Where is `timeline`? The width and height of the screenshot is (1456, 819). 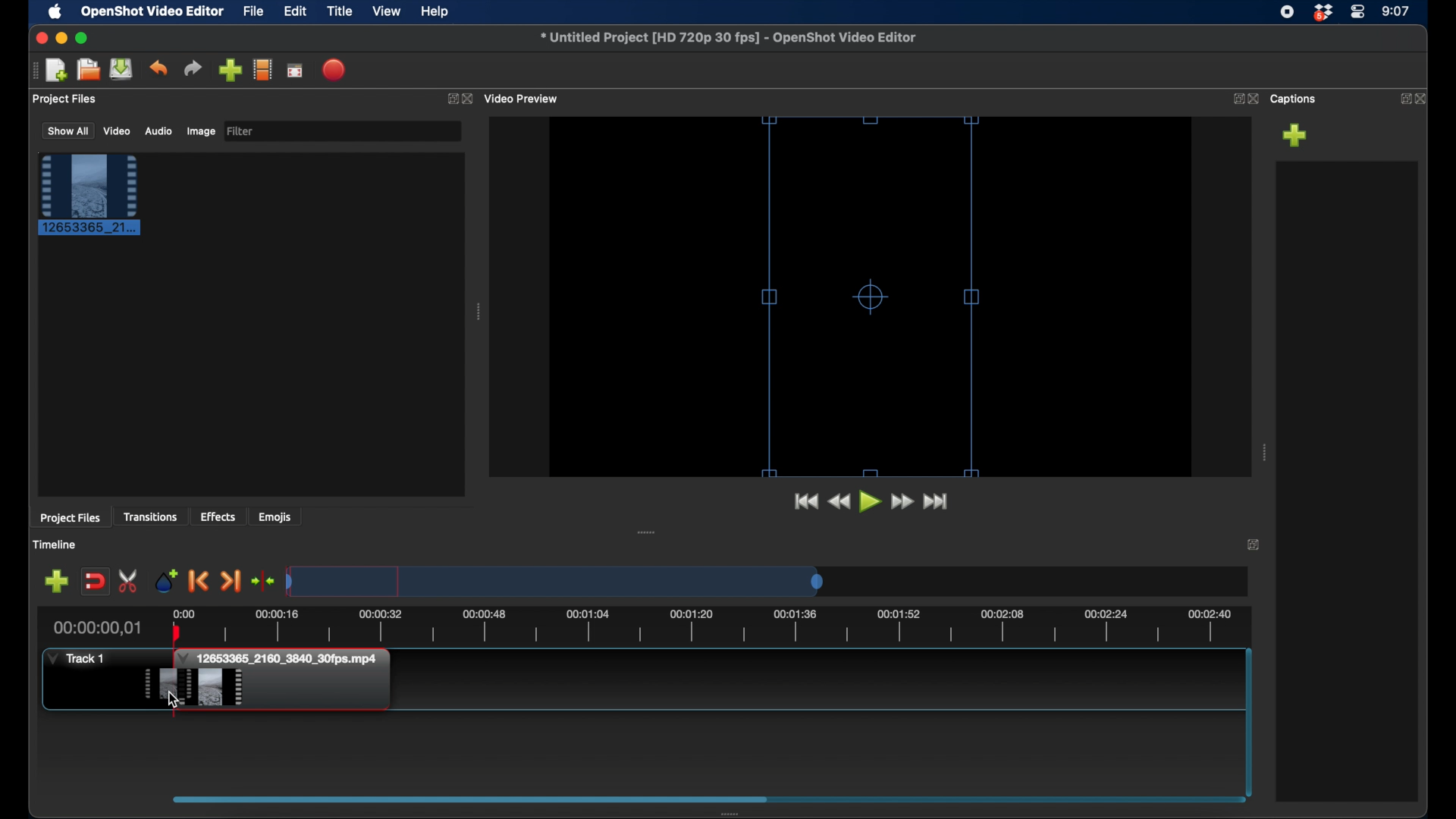
timeline is located at coordinates (726, 627).